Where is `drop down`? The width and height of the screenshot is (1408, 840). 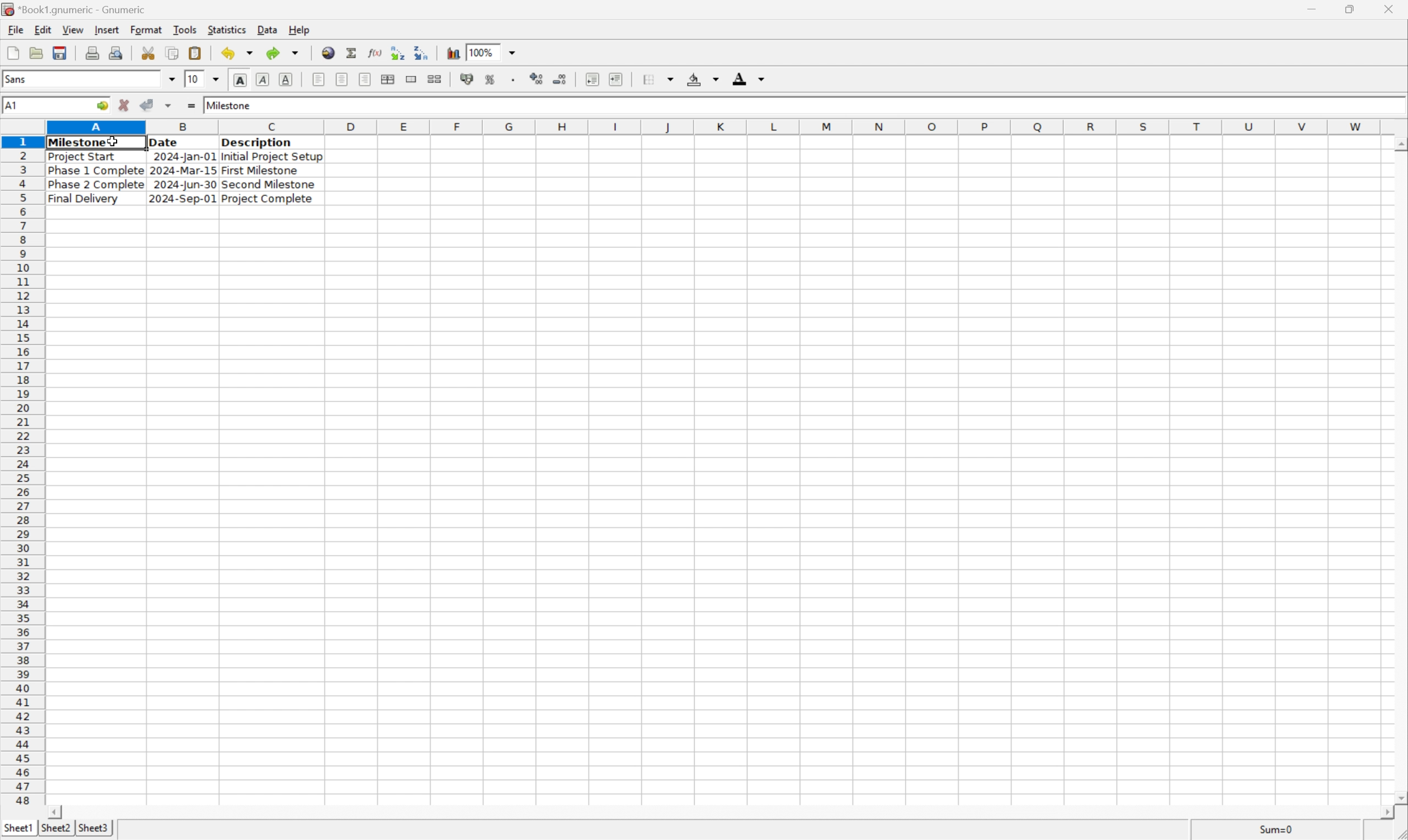
drop down is located at coordinates (217, 78).